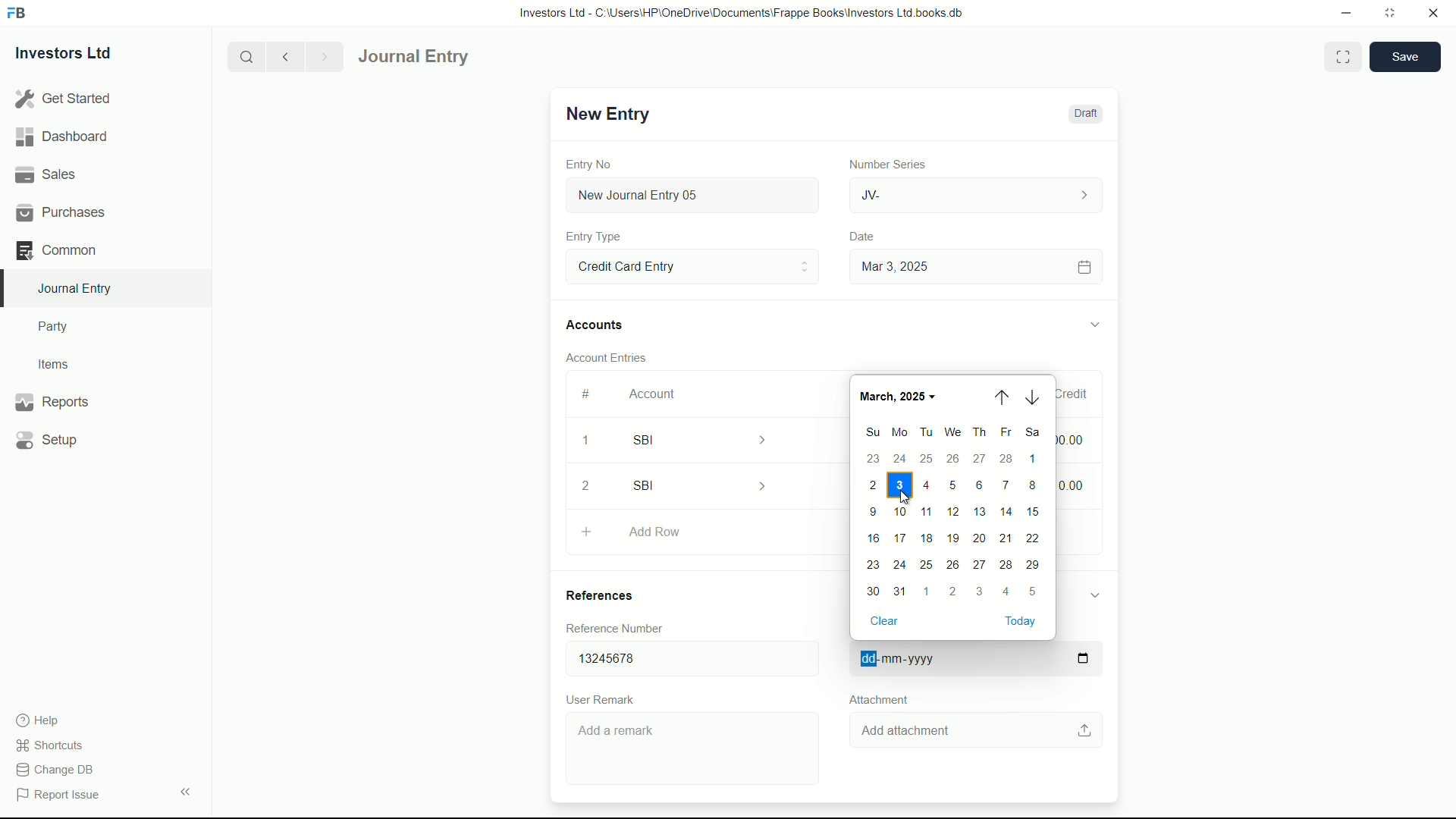 The image size is (1456, 819). I want to click on Entry Type, so click(594, 237).